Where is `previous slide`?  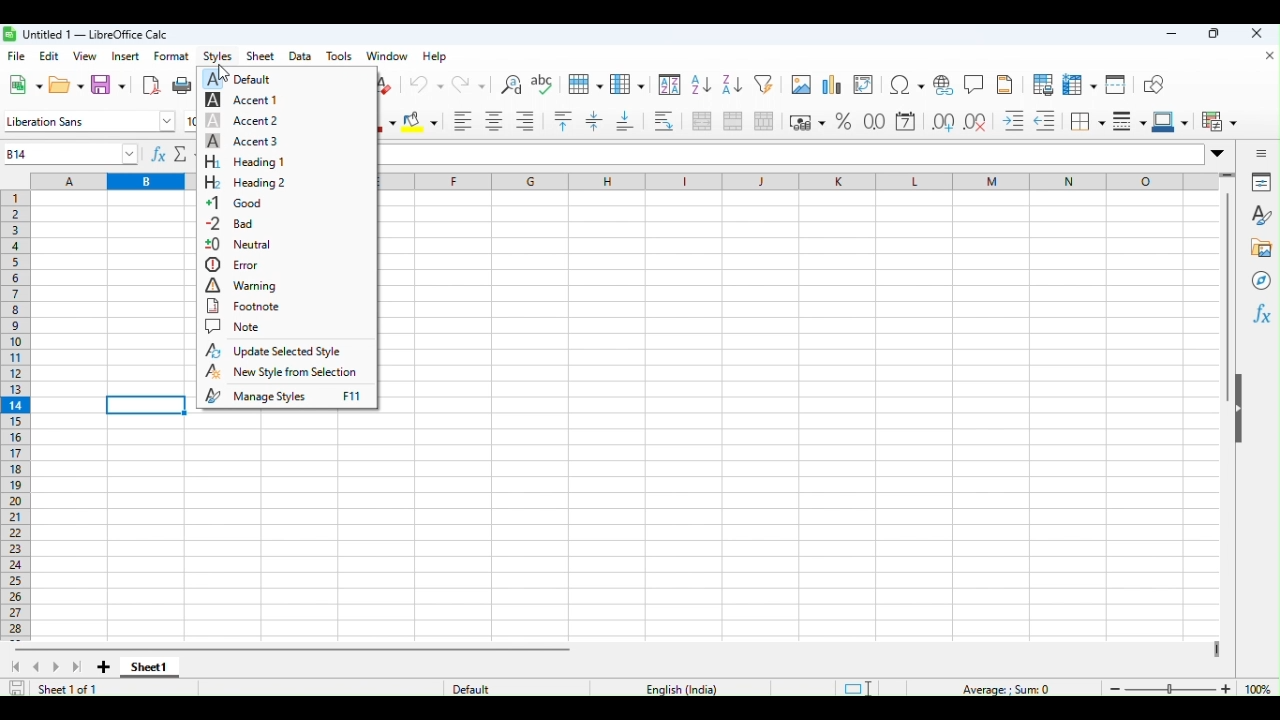
previous slide is located at coordinates (13, 668).